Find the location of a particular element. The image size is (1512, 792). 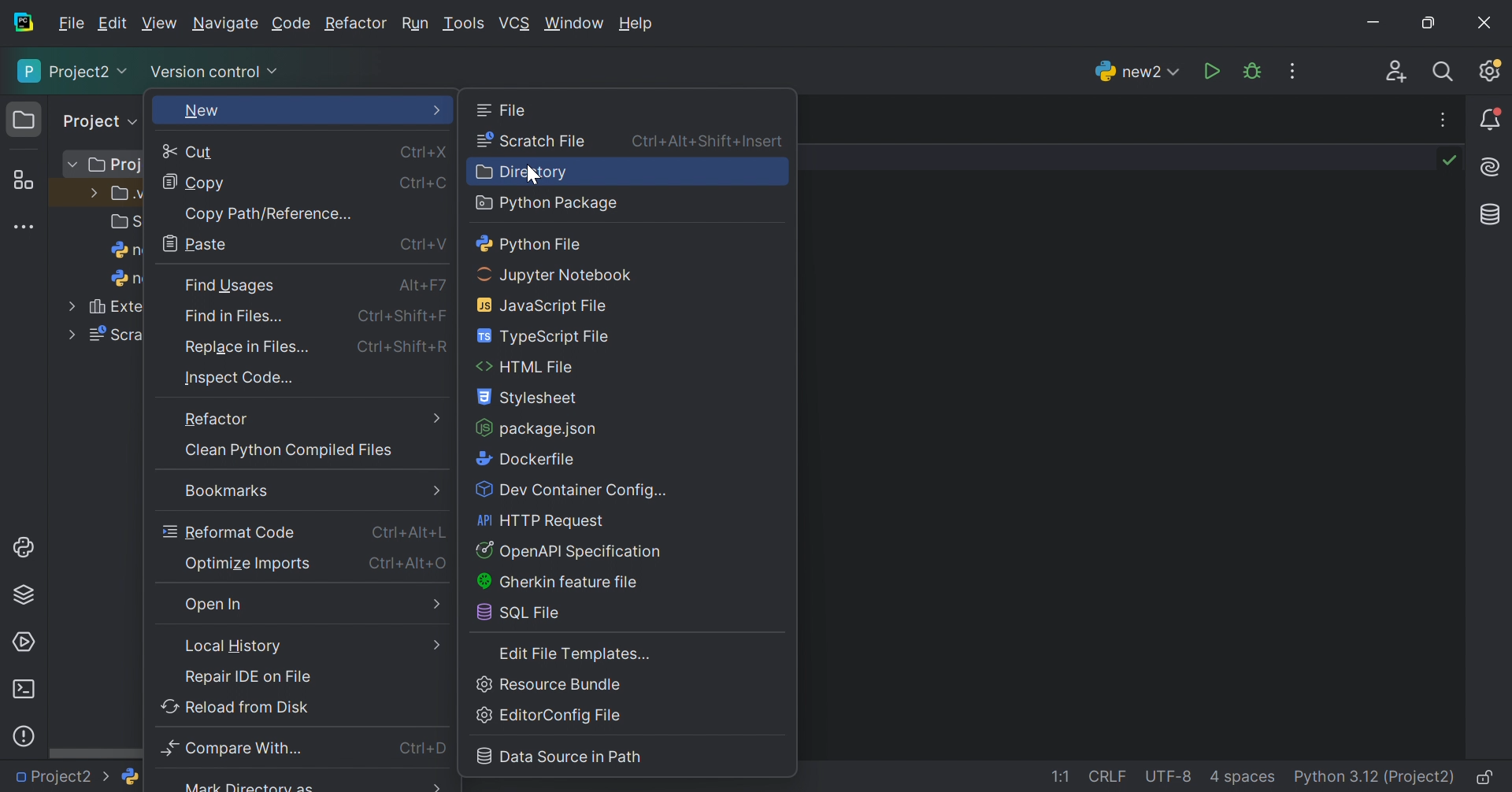

Bookmarks is located at coordinates (225, 491).